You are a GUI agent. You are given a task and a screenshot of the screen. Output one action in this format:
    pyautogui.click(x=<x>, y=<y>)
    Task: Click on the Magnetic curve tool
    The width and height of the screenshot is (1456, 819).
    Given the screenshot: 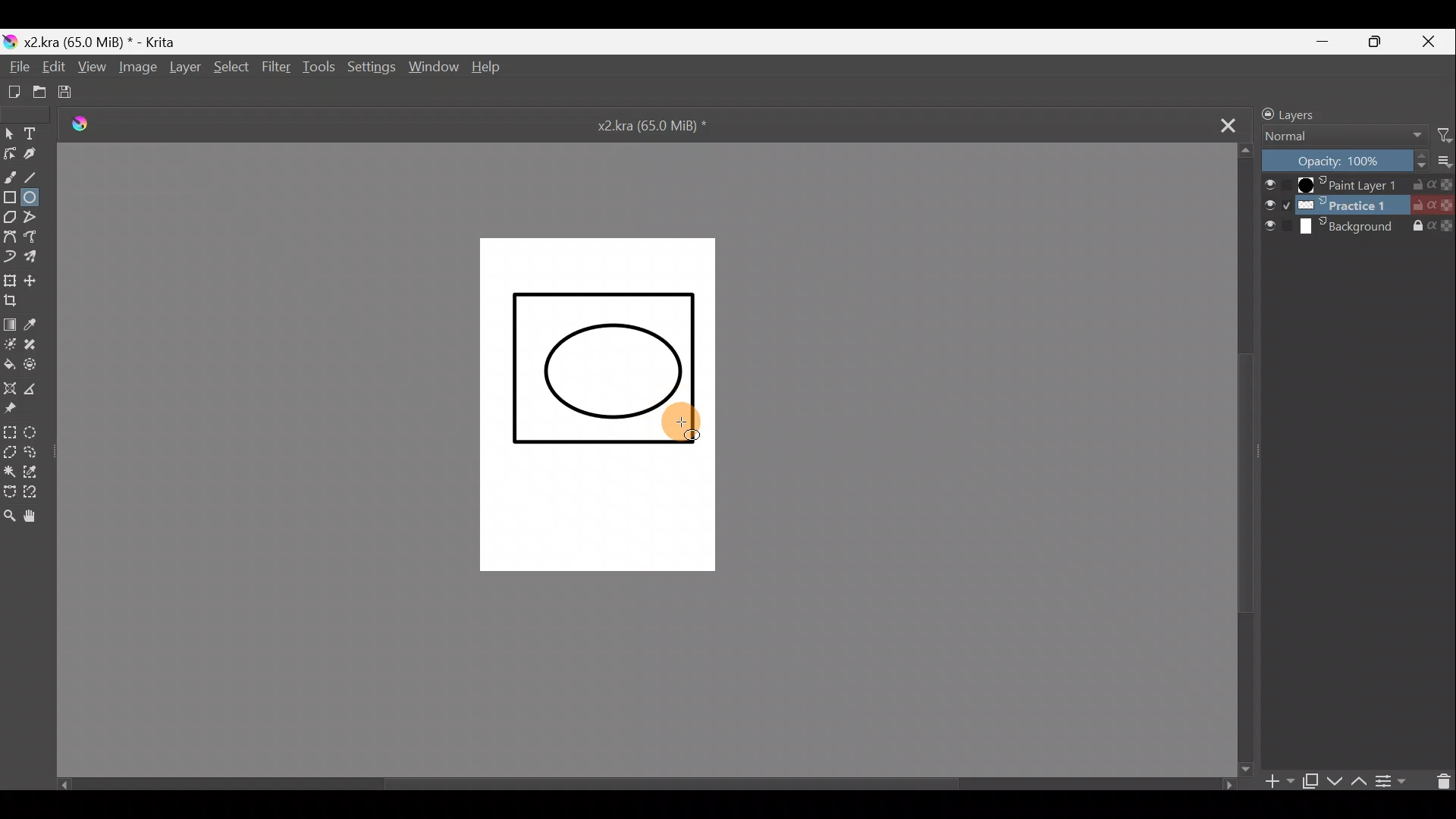 What is the action you would take?
    pyautogui.click(x=11, y=255)
    